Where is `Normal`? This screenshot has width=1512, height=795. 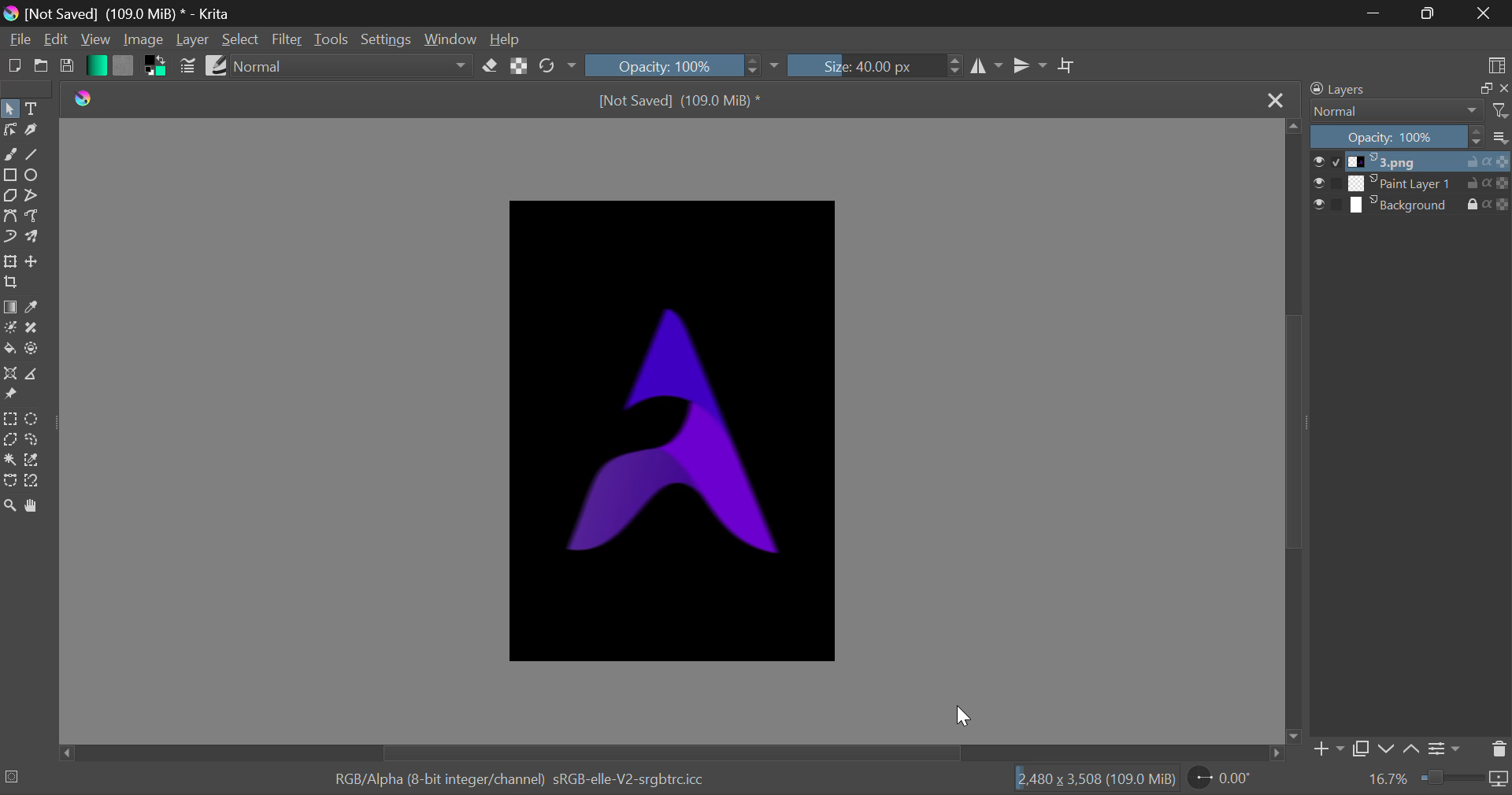
Normal is located at coordinates (1408, 111).